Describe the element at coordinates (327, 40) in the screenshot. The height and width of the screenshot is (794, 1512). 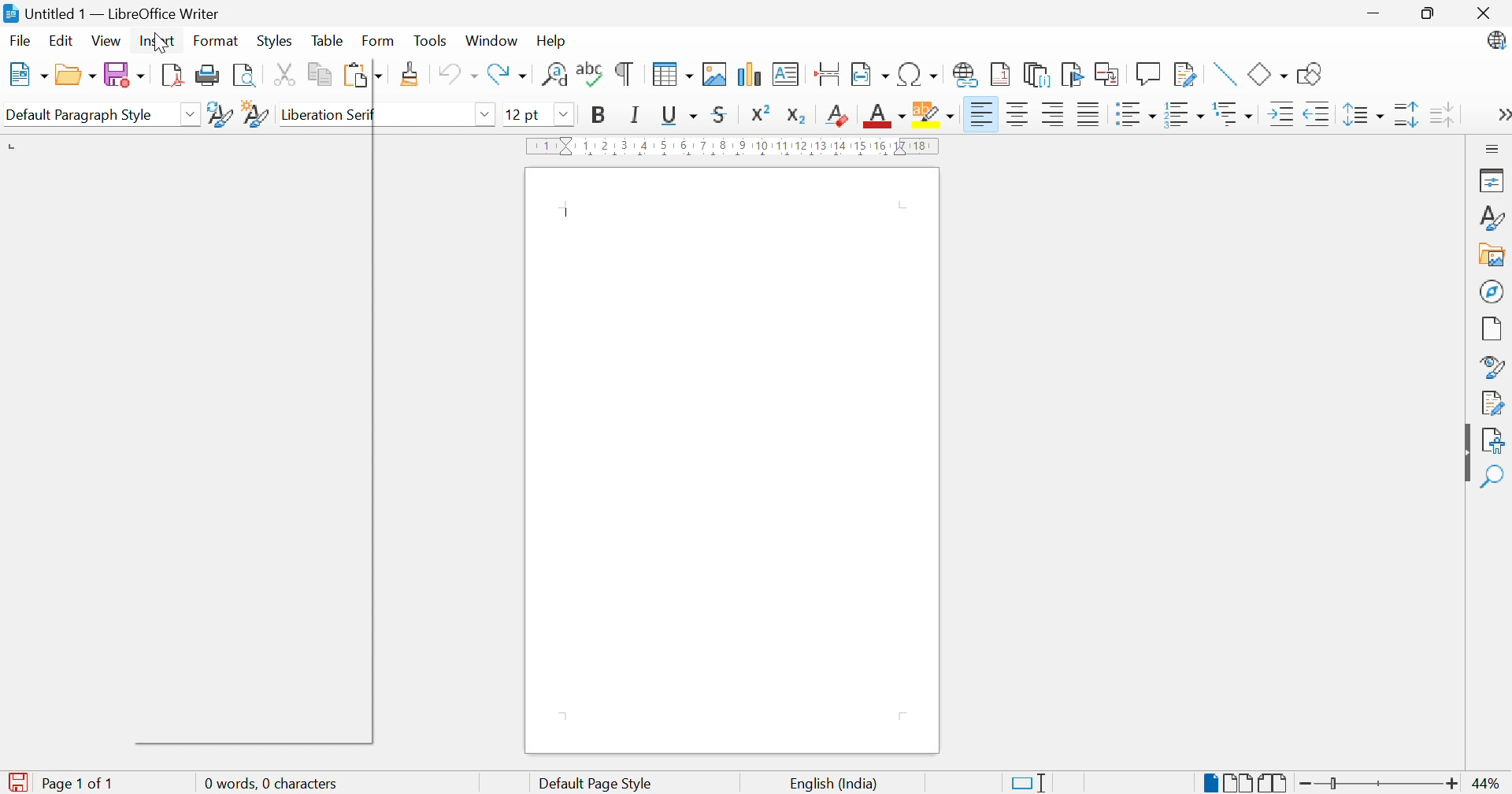
I see `Table` at that location.